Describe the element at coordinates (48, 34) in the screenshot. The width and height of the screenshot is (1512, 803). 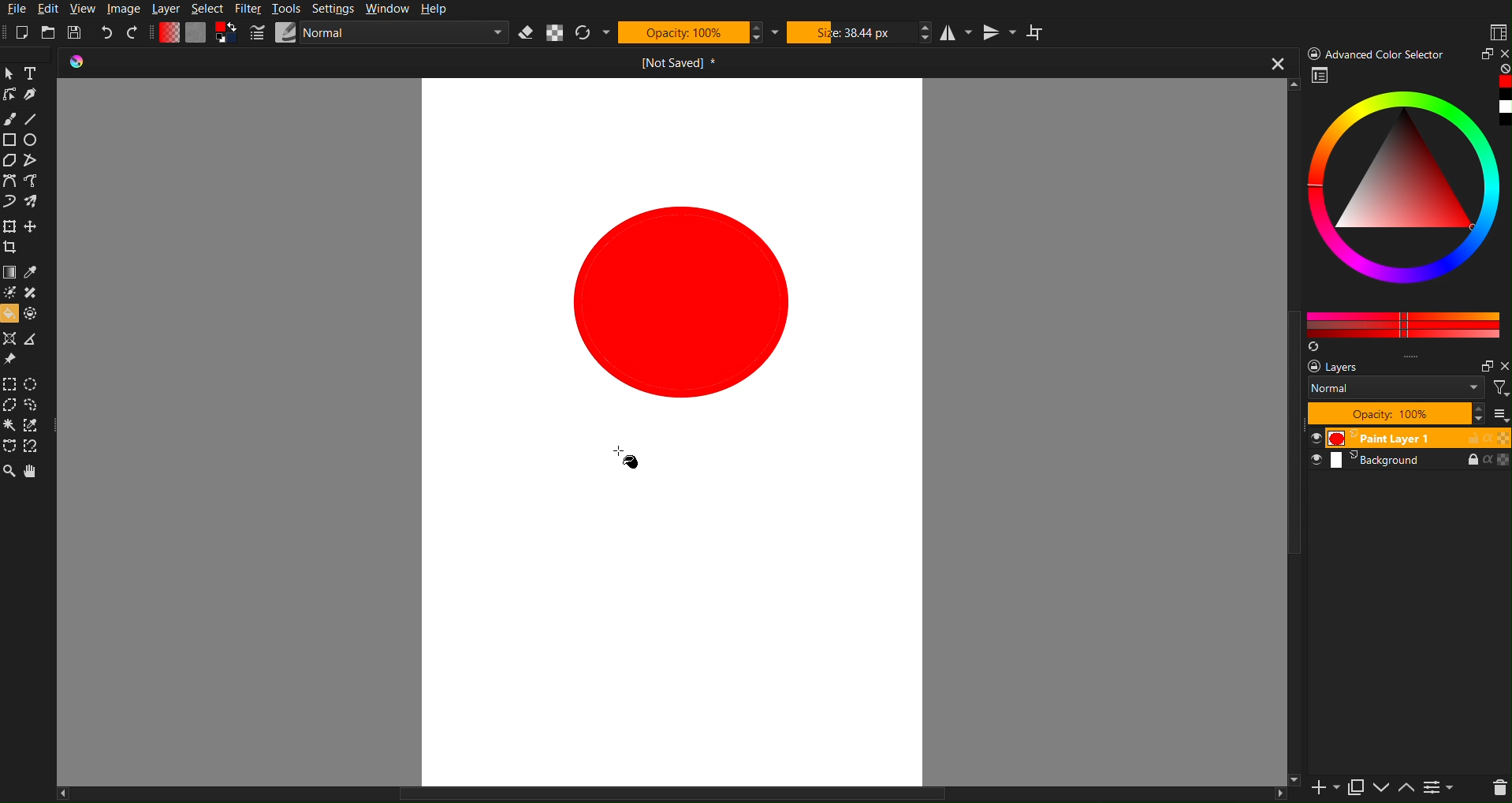
I see `Open` at that location.